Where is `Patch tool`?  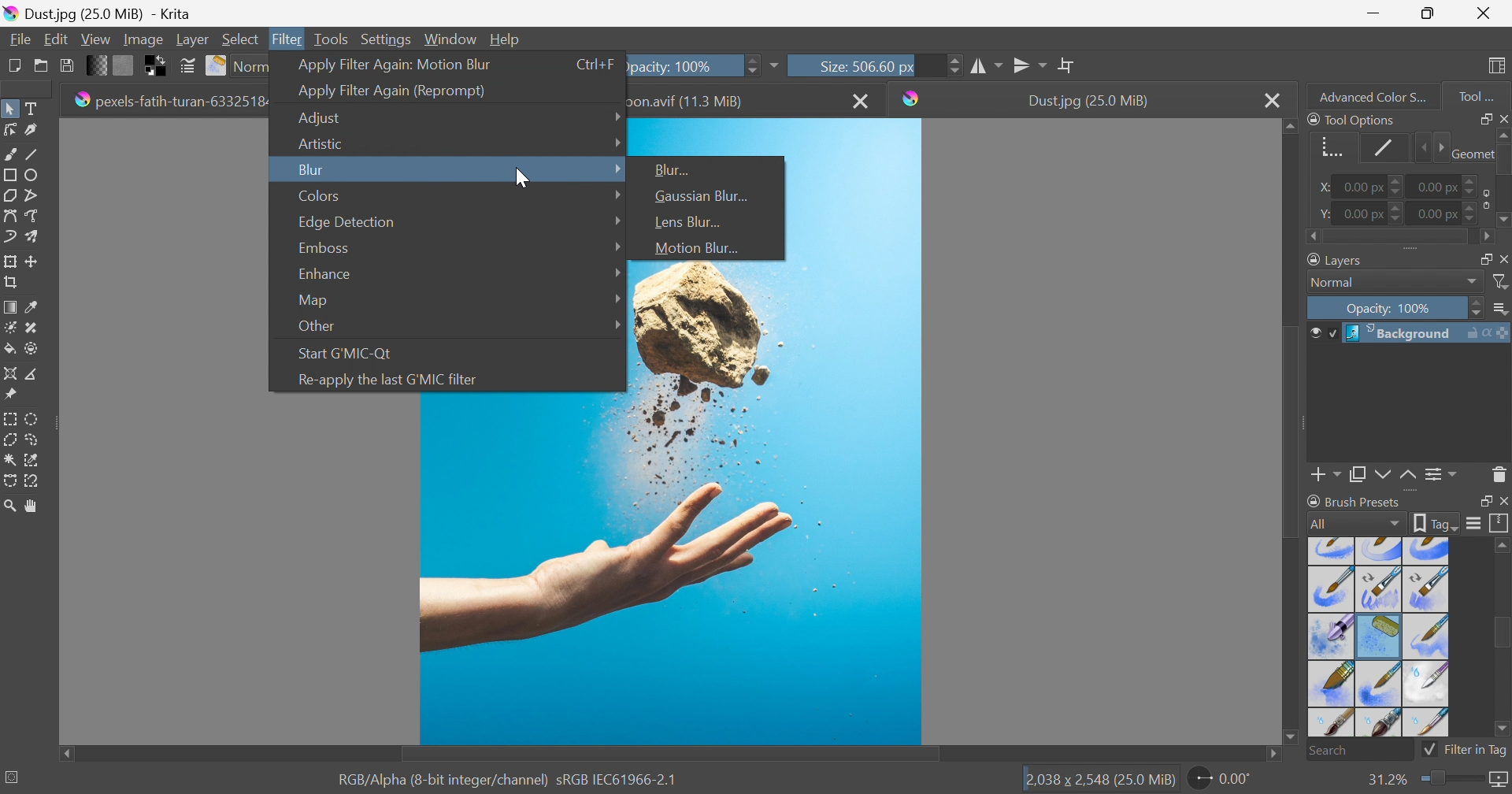
Patch tool is located at coordinates (29, 328).